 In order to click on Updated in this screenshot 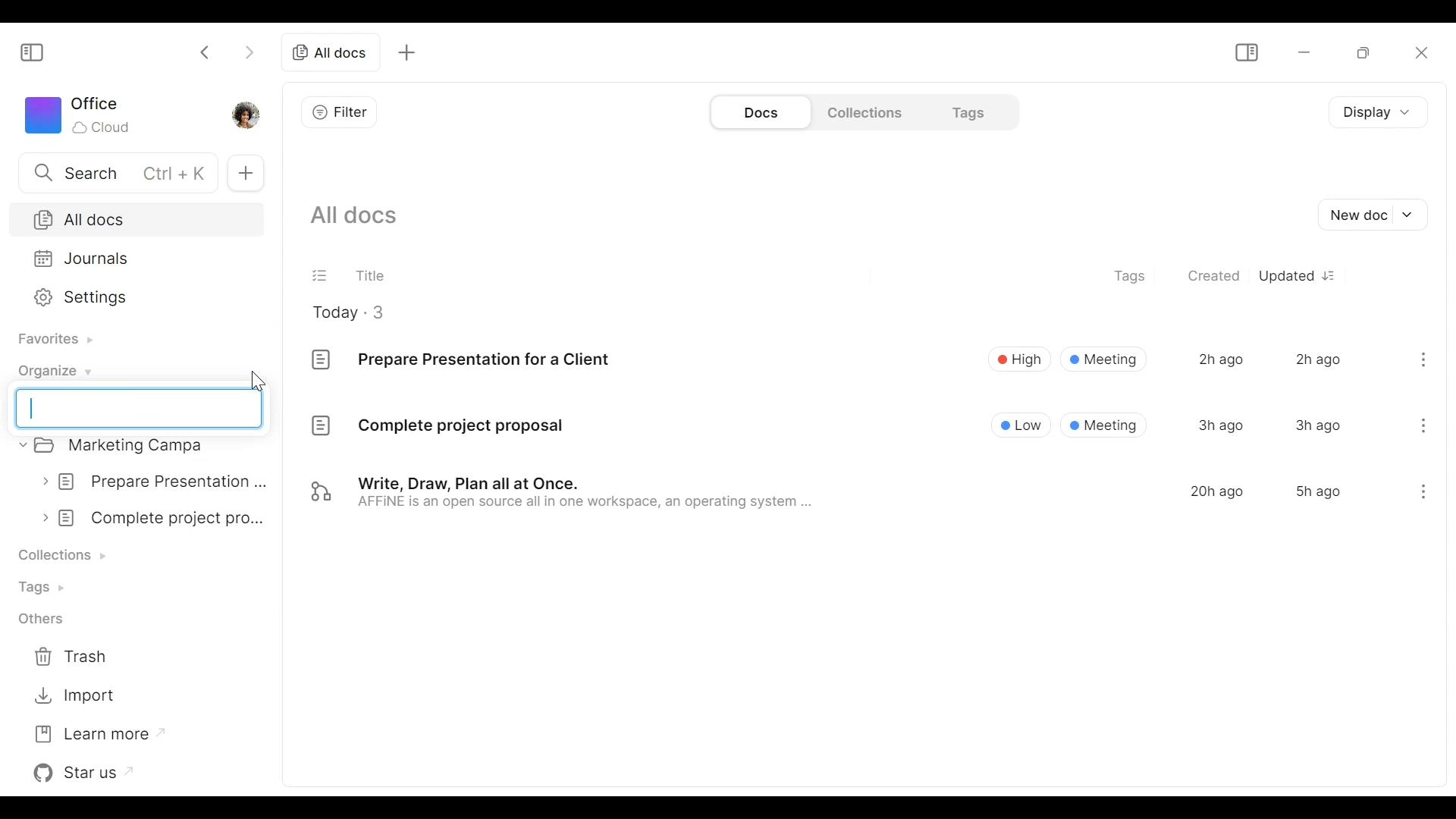, I will do `click(1286, 275)`.